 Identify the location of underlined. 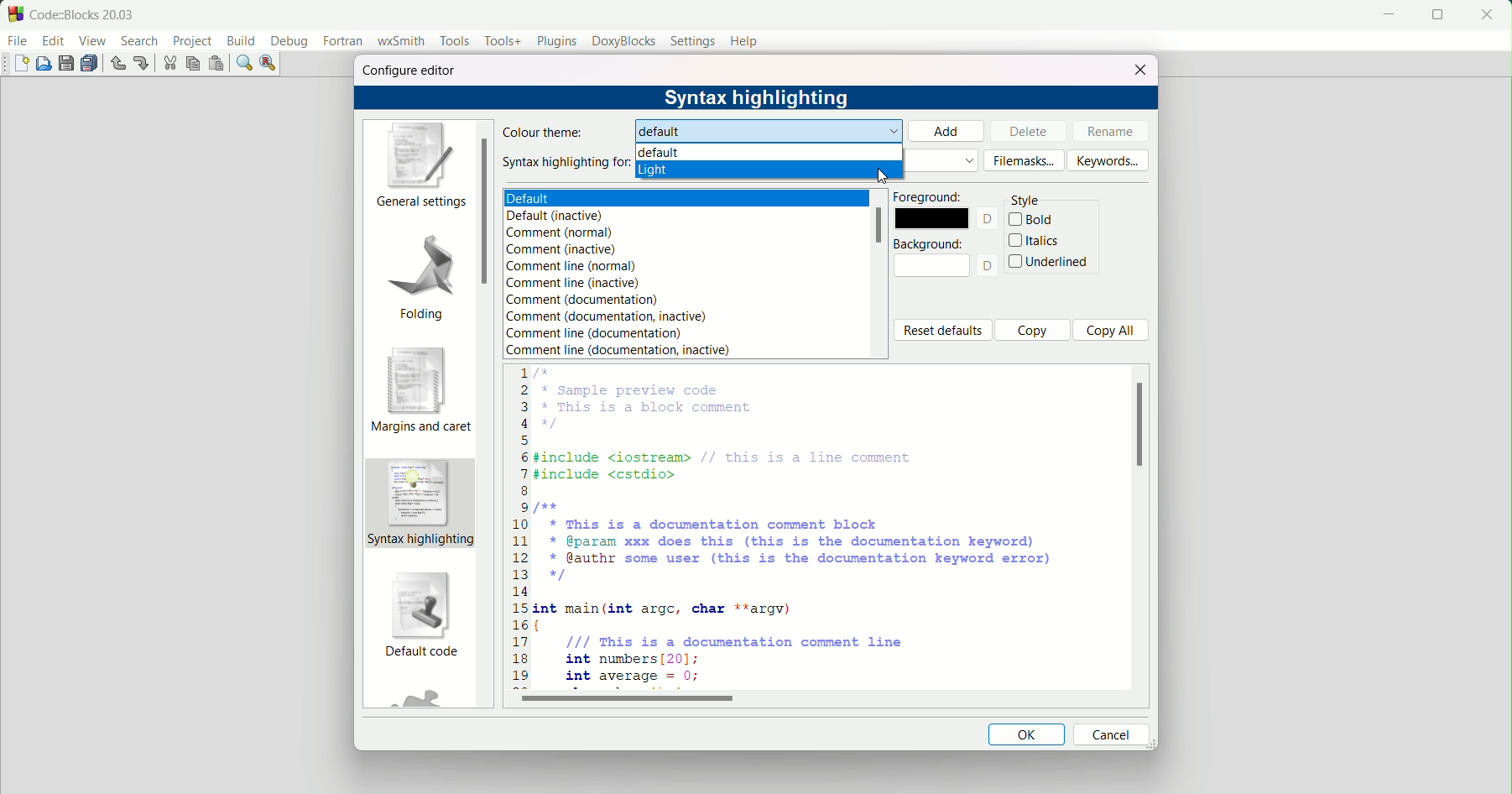
(1050, 261).